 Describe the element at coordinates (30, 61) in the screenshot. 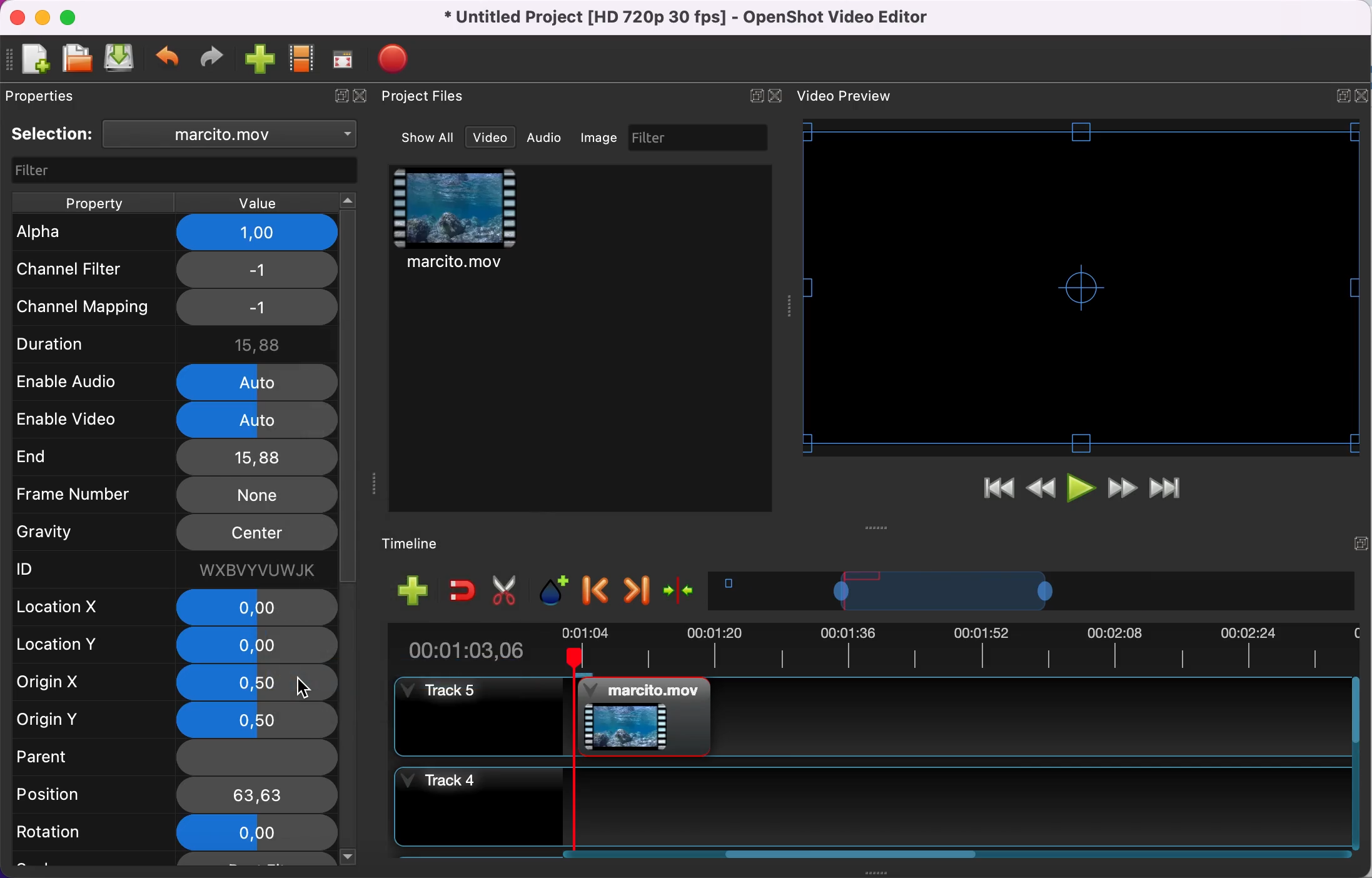

I see `new file` at that location.